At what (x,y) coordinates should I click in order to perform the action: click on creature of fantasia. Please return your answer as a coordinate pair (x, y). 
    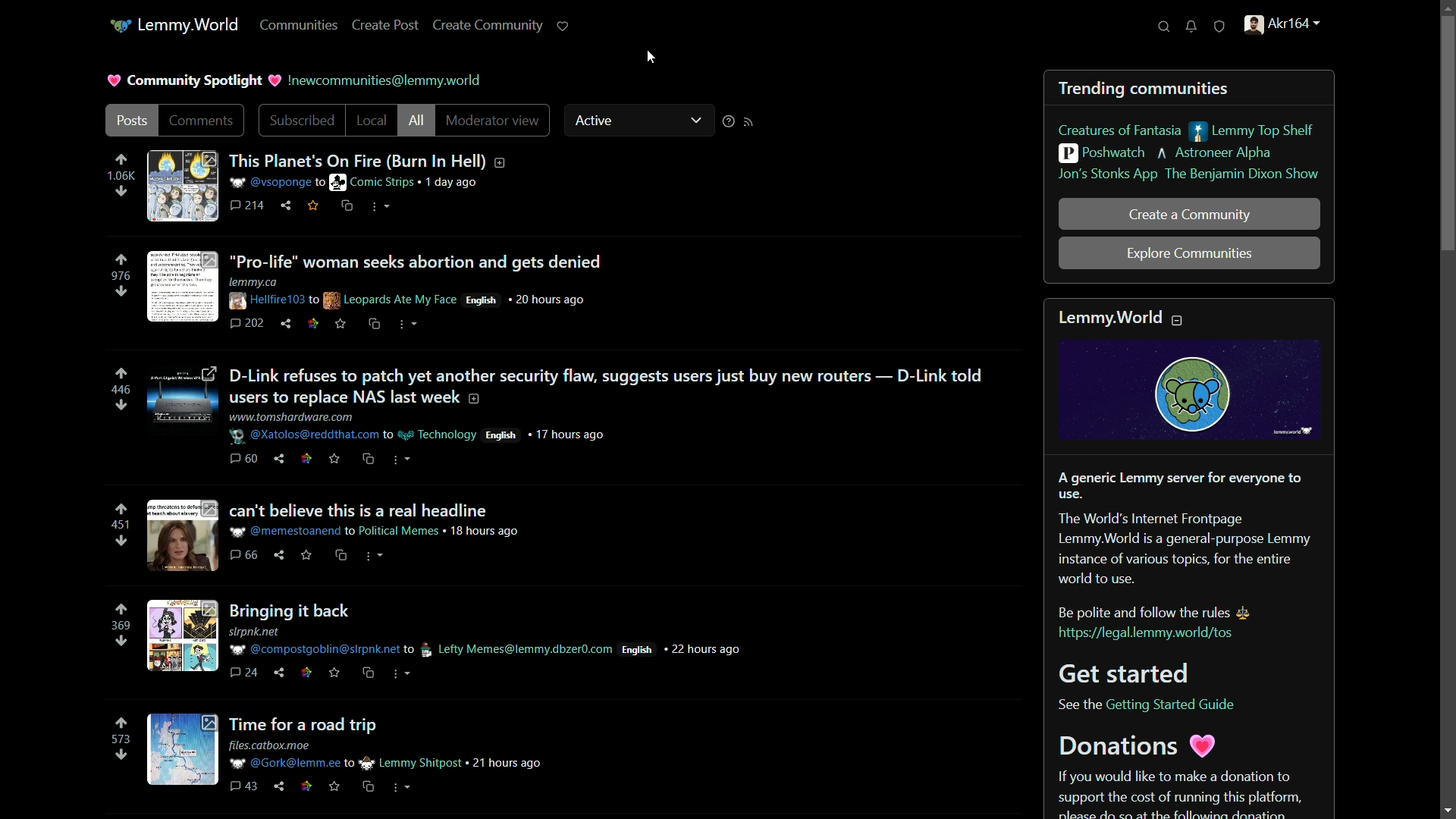
    Looking at the image, I should click on (1120, 130).